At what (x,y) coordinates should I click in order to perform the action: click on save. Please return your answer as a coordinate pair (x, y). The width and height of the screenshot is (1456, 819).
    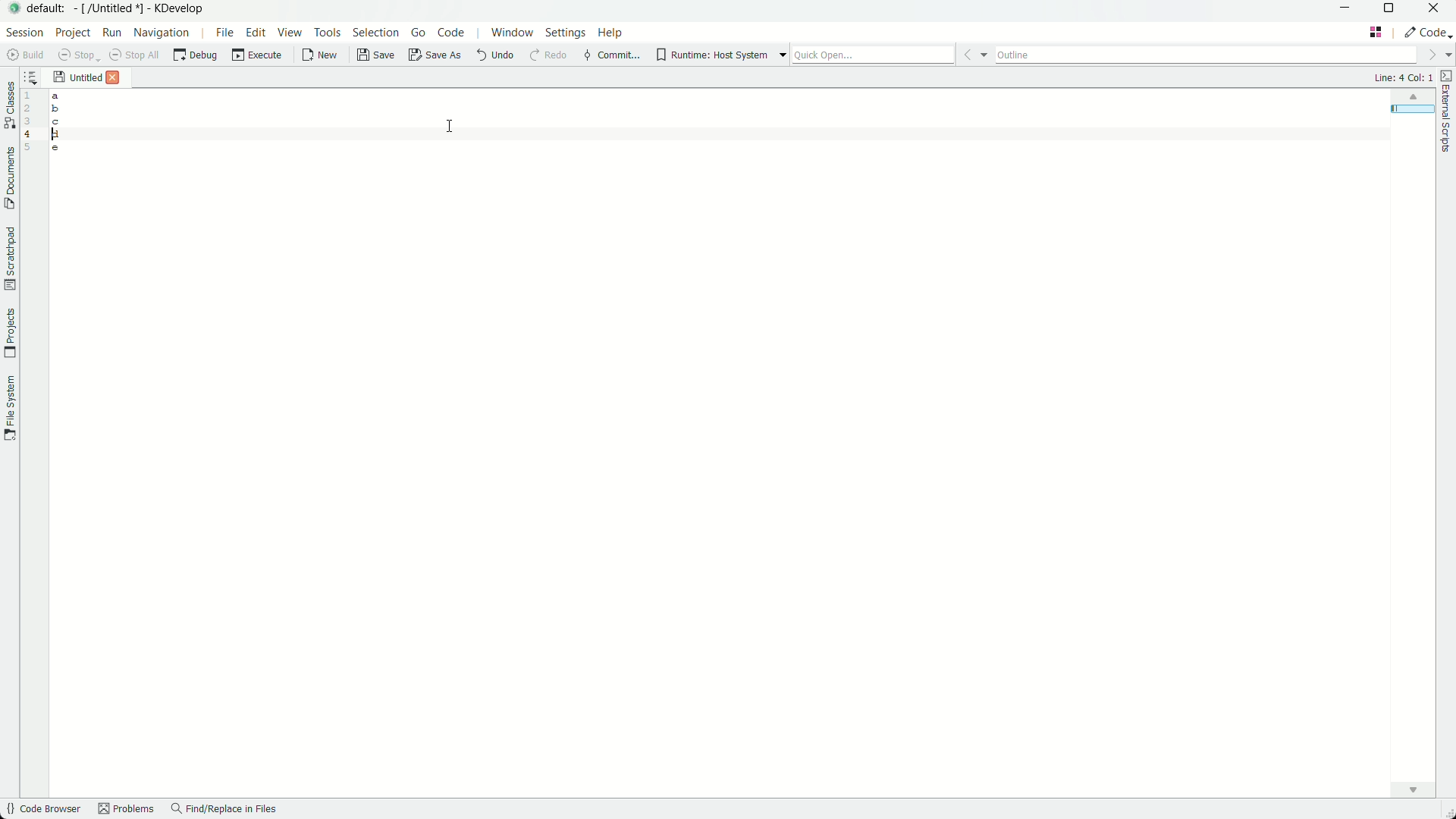
    Looking at the image, I should click on (78, 56).